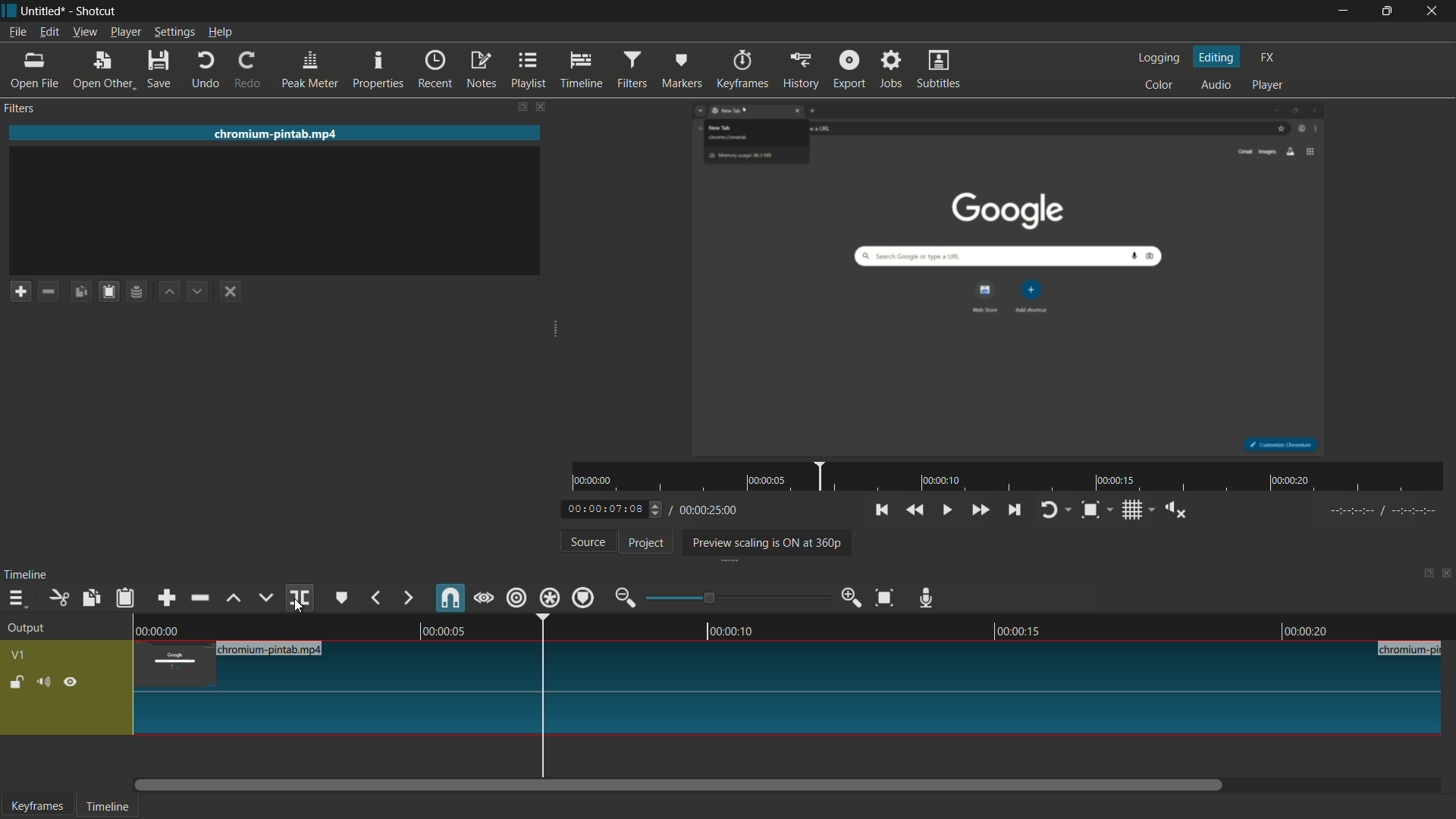 This screenshot has height=819, width=1456. I want to click on ripple delete, so click(202, 598).